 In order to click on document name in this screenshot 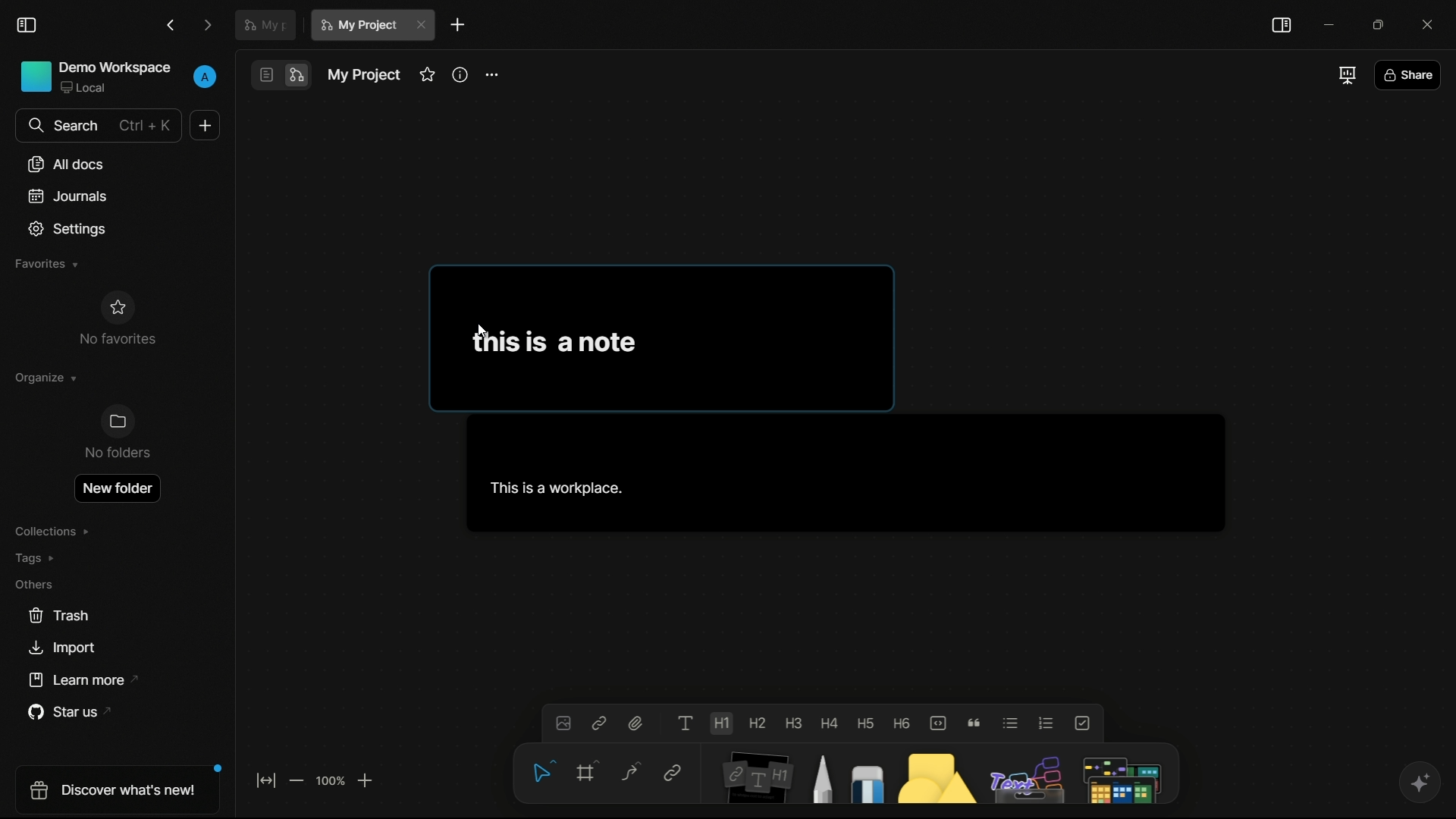, I will do `click(364, 75)`.